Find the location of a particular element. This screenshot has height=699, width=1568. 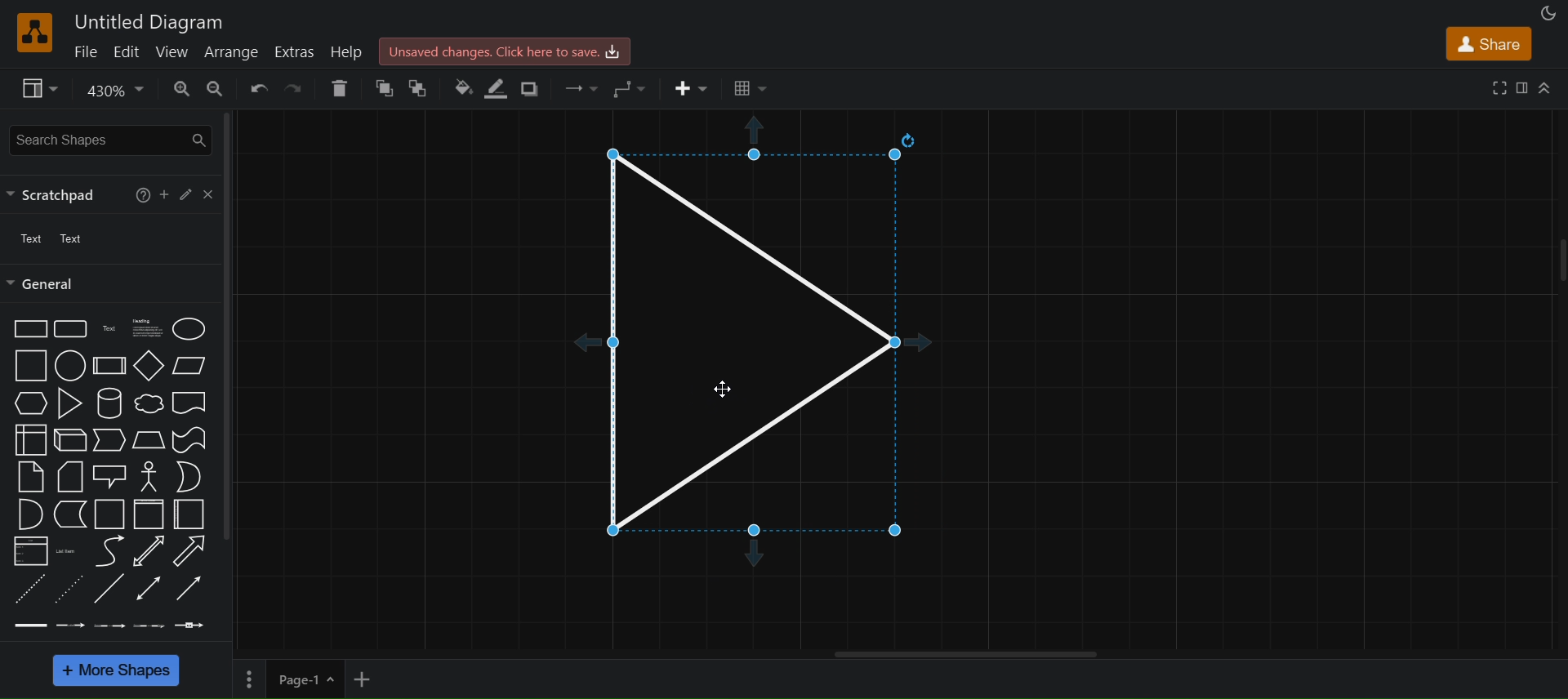

to front is located at coordinates (383, 88).